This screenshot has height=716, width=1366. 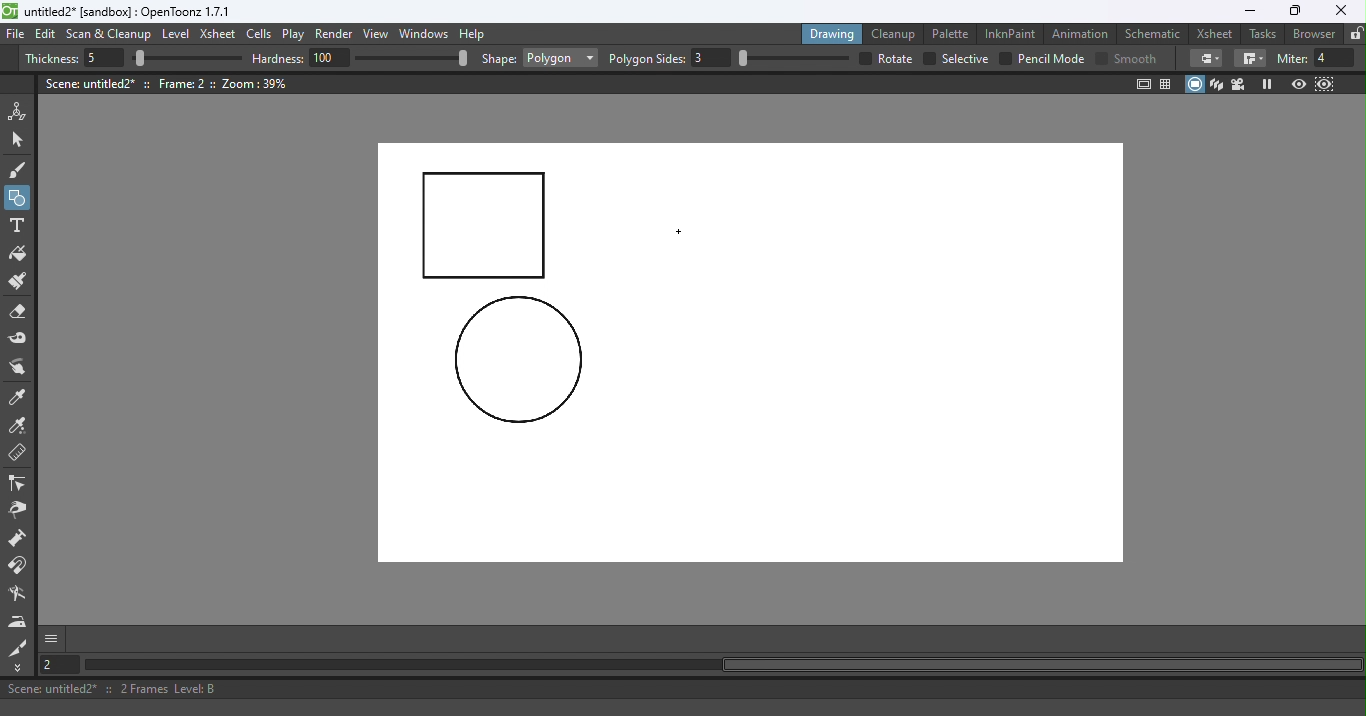 What do you see at coordinates (1142, 84) in the screenshot?
I see `Safe area` at bounding box center [1142, 84].